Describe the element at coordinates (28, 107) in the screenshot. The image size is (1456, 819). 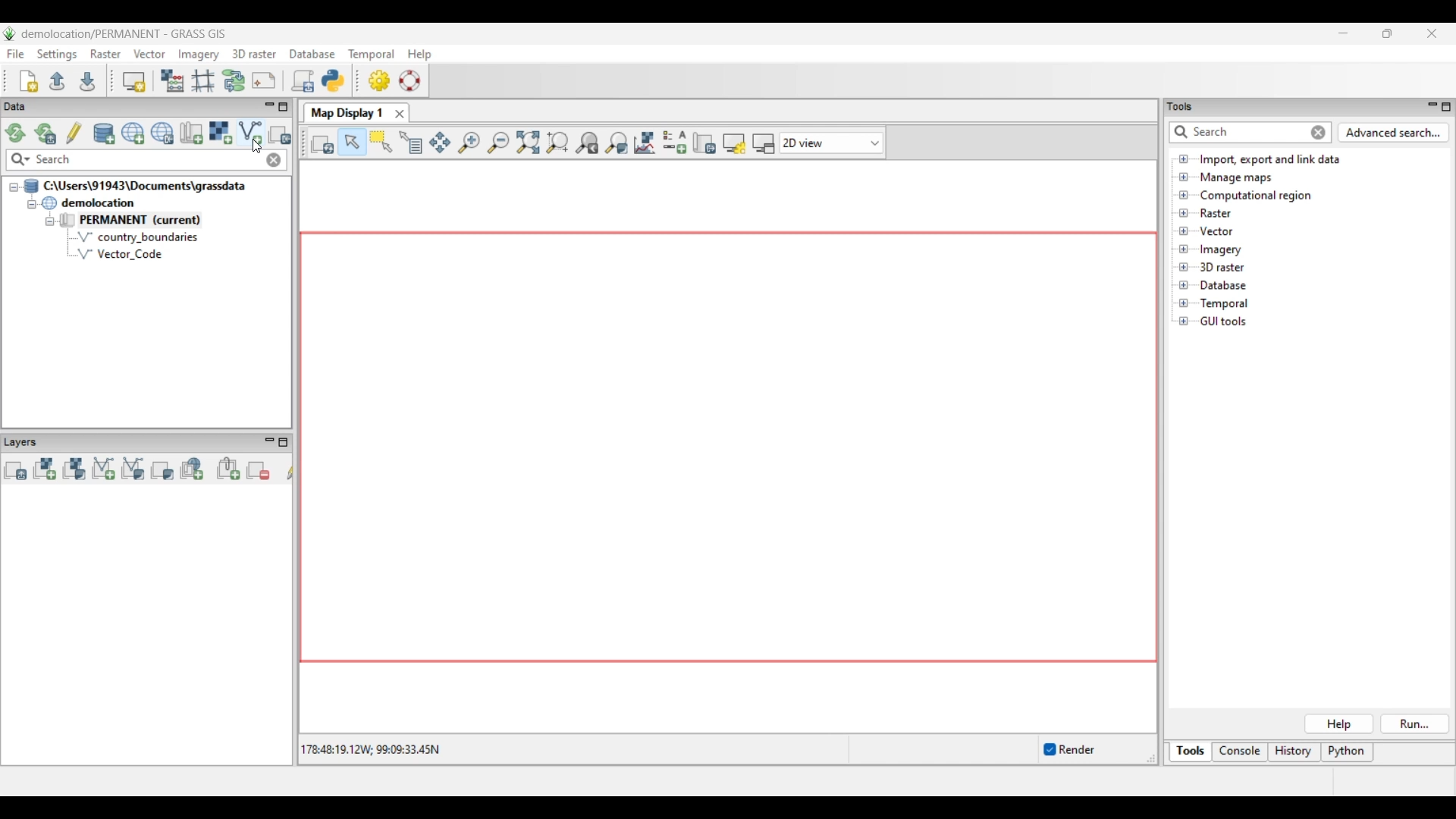
I see `Data` at that location.